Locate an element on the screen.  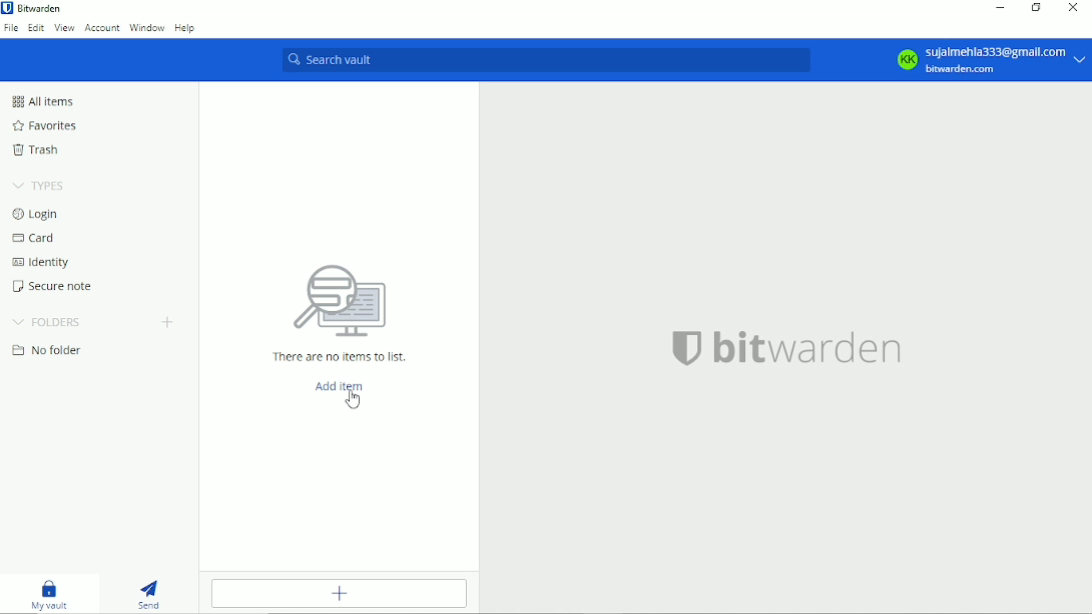
View is located at coordinates (64, 28).